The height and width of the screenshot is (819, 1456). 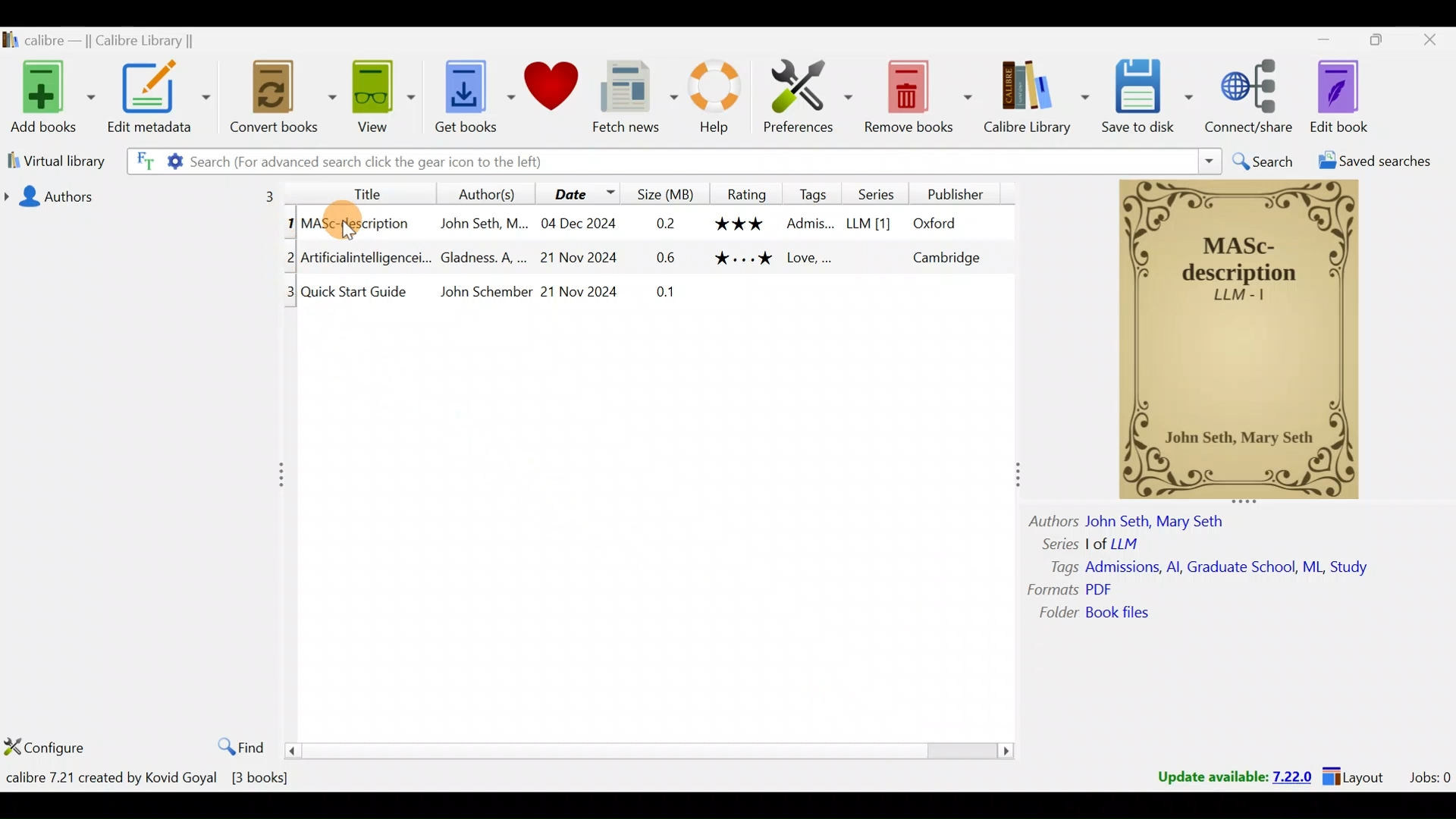 What do you see at coordinates (587, 224) in the screenshot?
I see `` at bounding box center [587, 224].